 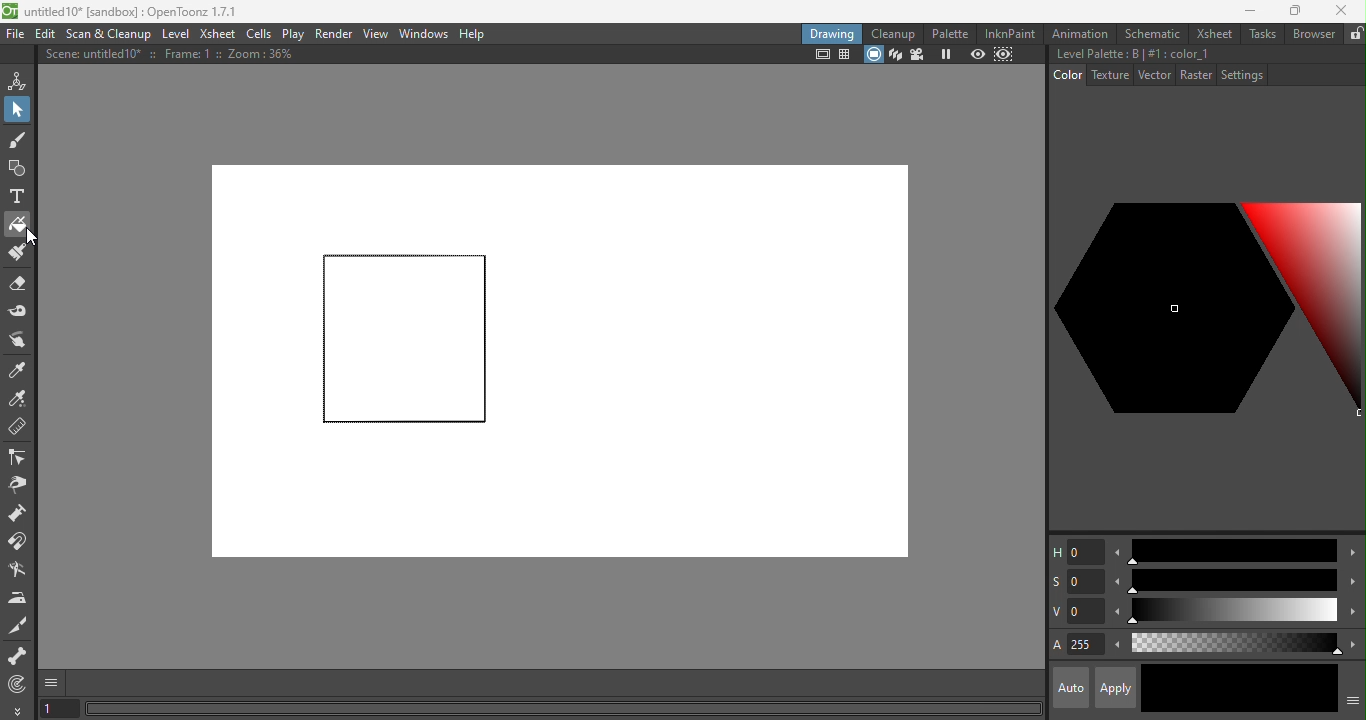 What do you see at coordinates (1313, 33) in the screenshot?
I see `Browser` at bounding box center [1313, 33].